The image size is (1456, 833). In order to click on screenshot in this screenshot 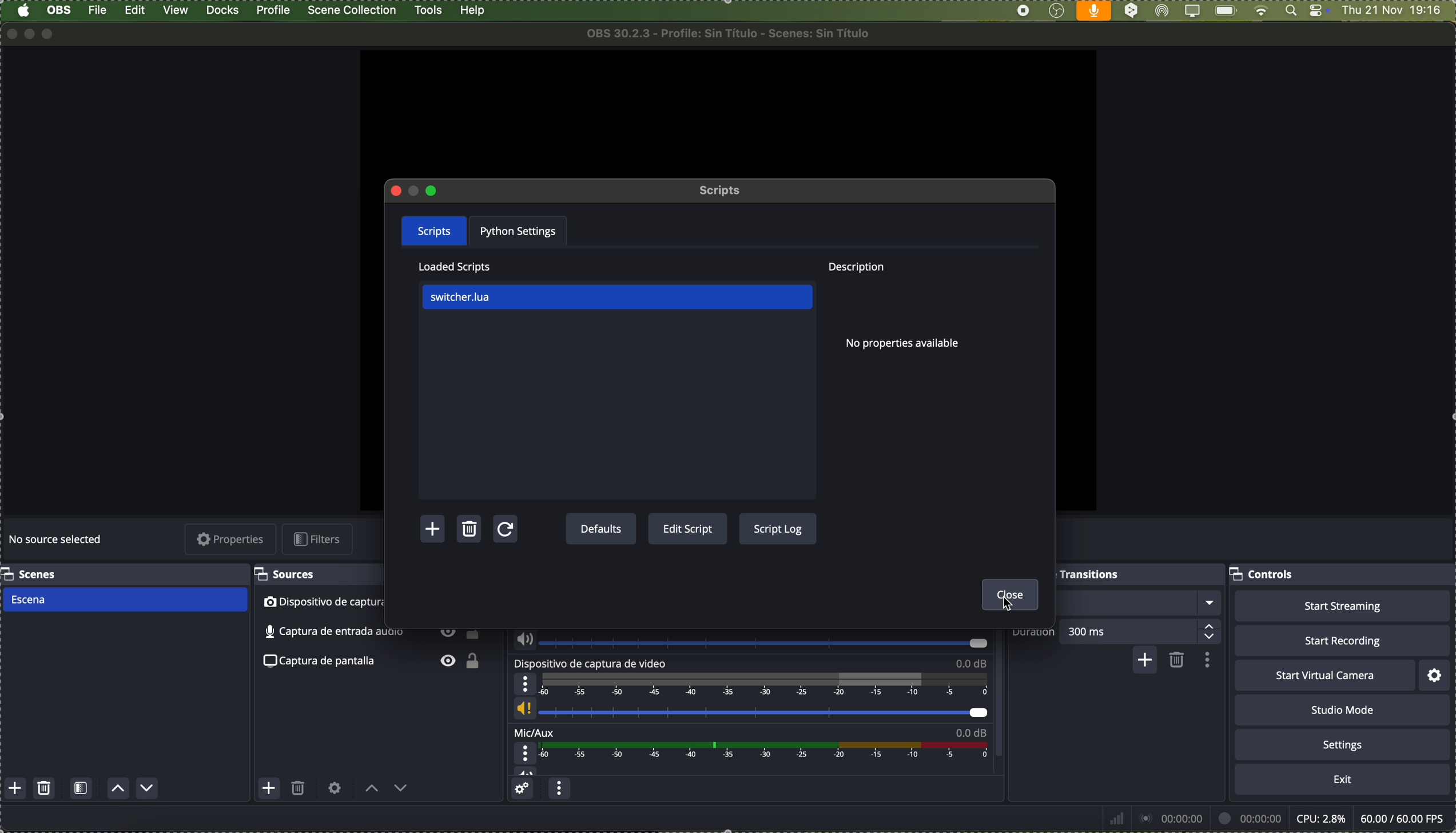, I will do `click(376, 663)`.